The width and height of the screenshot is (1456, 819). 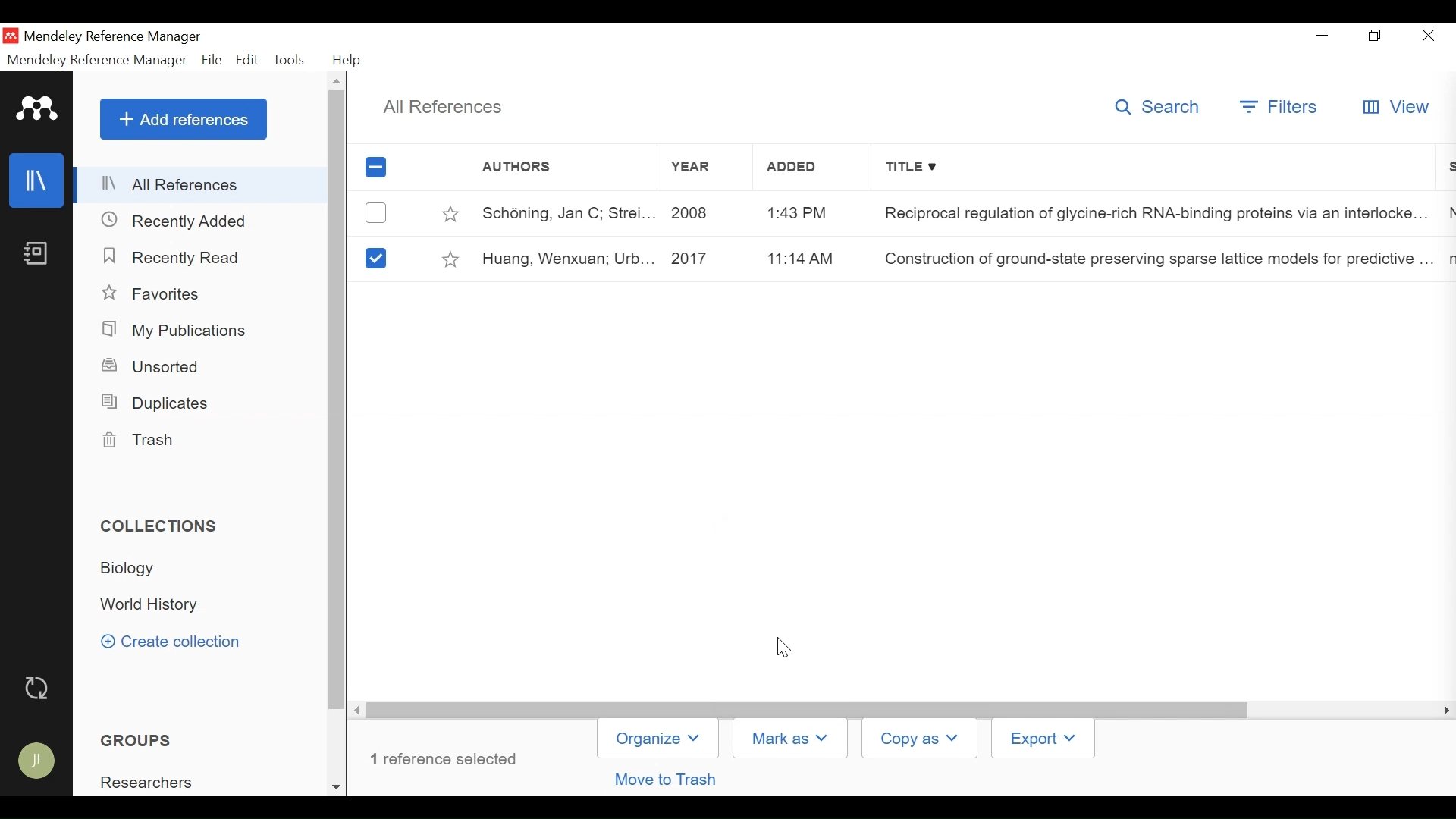 I want to click on 11:14 AM, so click(x=798, y=258).